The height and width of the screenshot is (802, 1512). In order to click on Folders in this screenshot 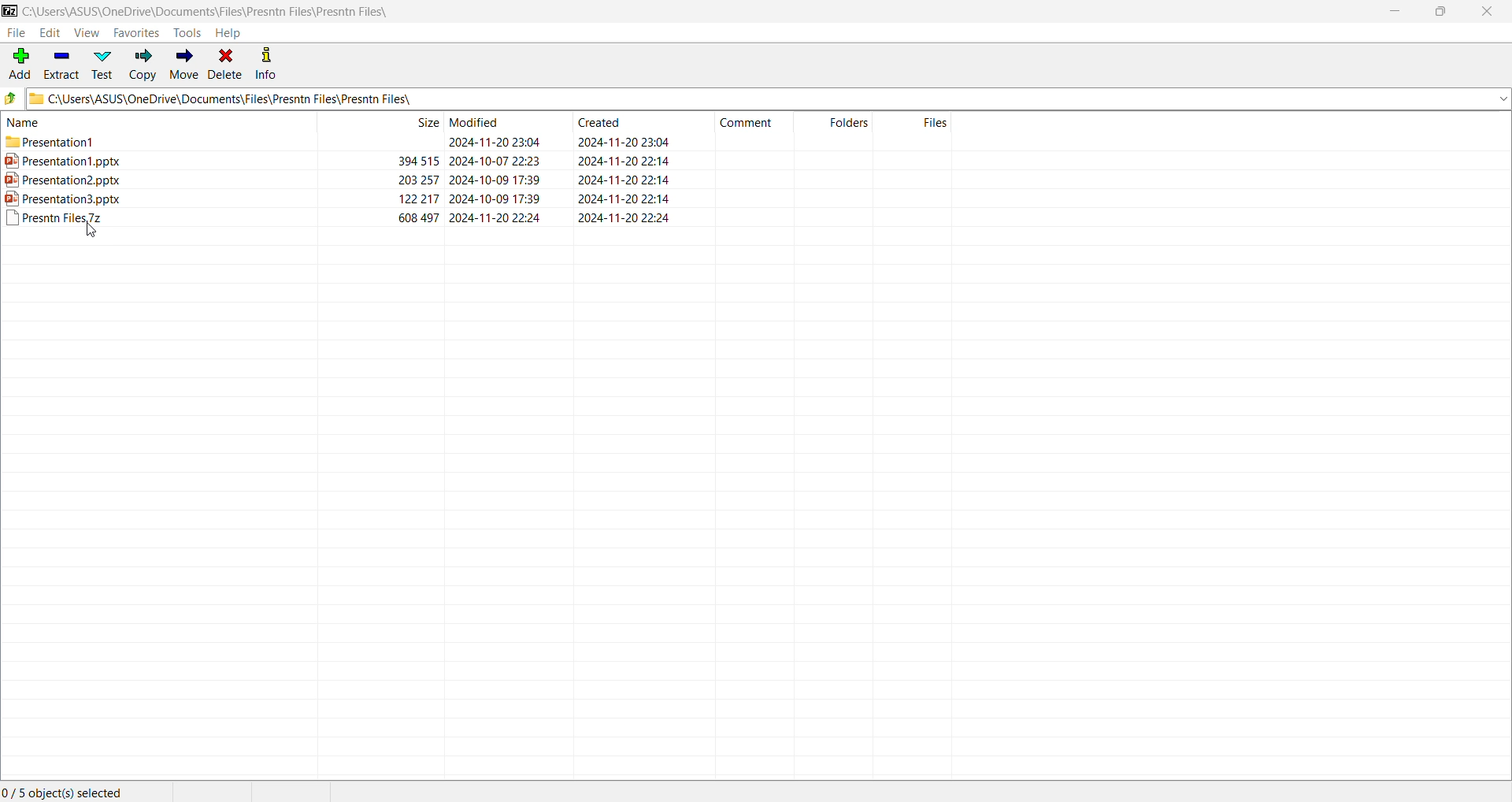, I will do `click(847, 123)`.